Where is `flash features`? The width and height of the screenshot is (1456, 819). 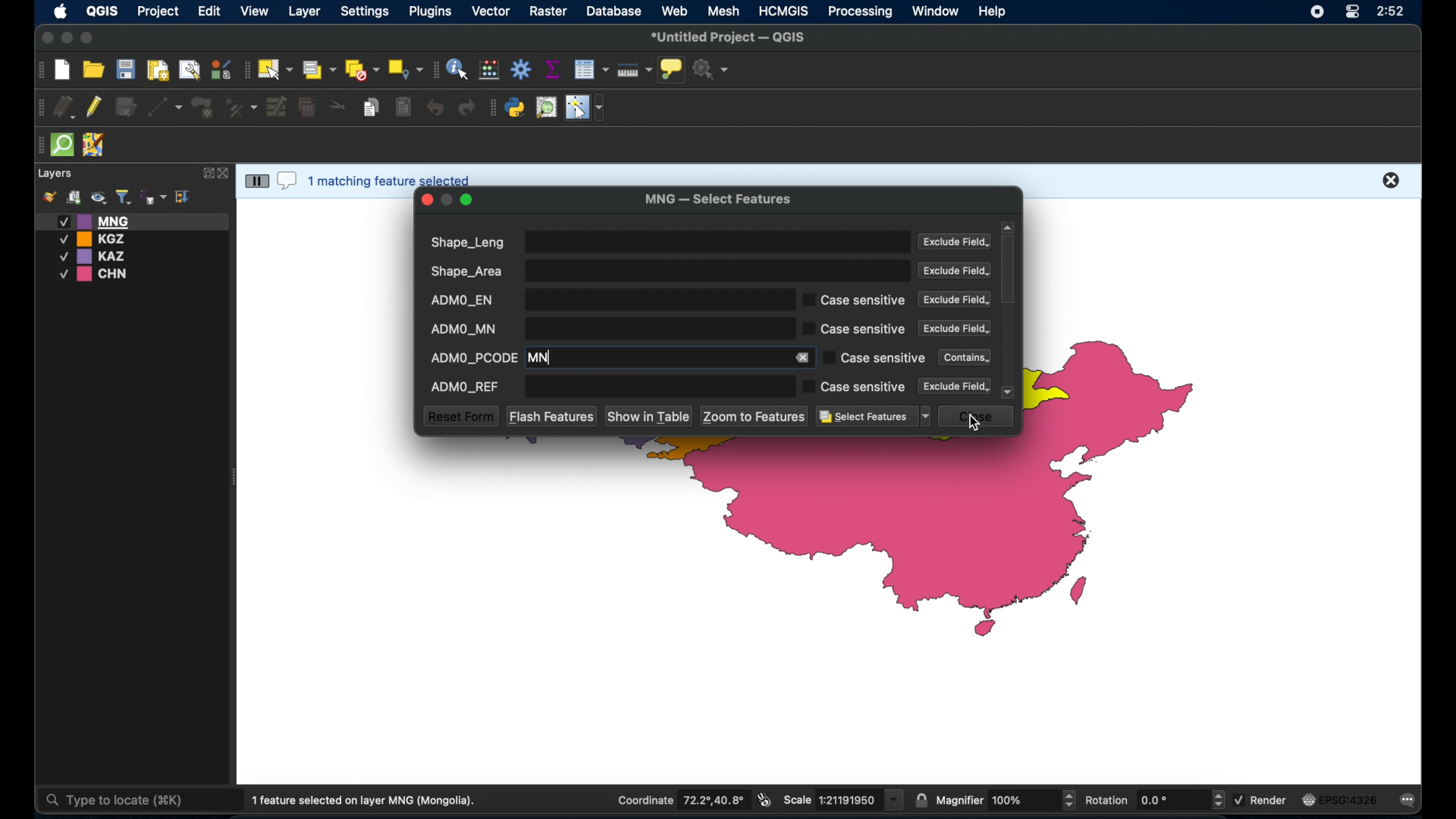 flash features is located at coordinates (551, 416).